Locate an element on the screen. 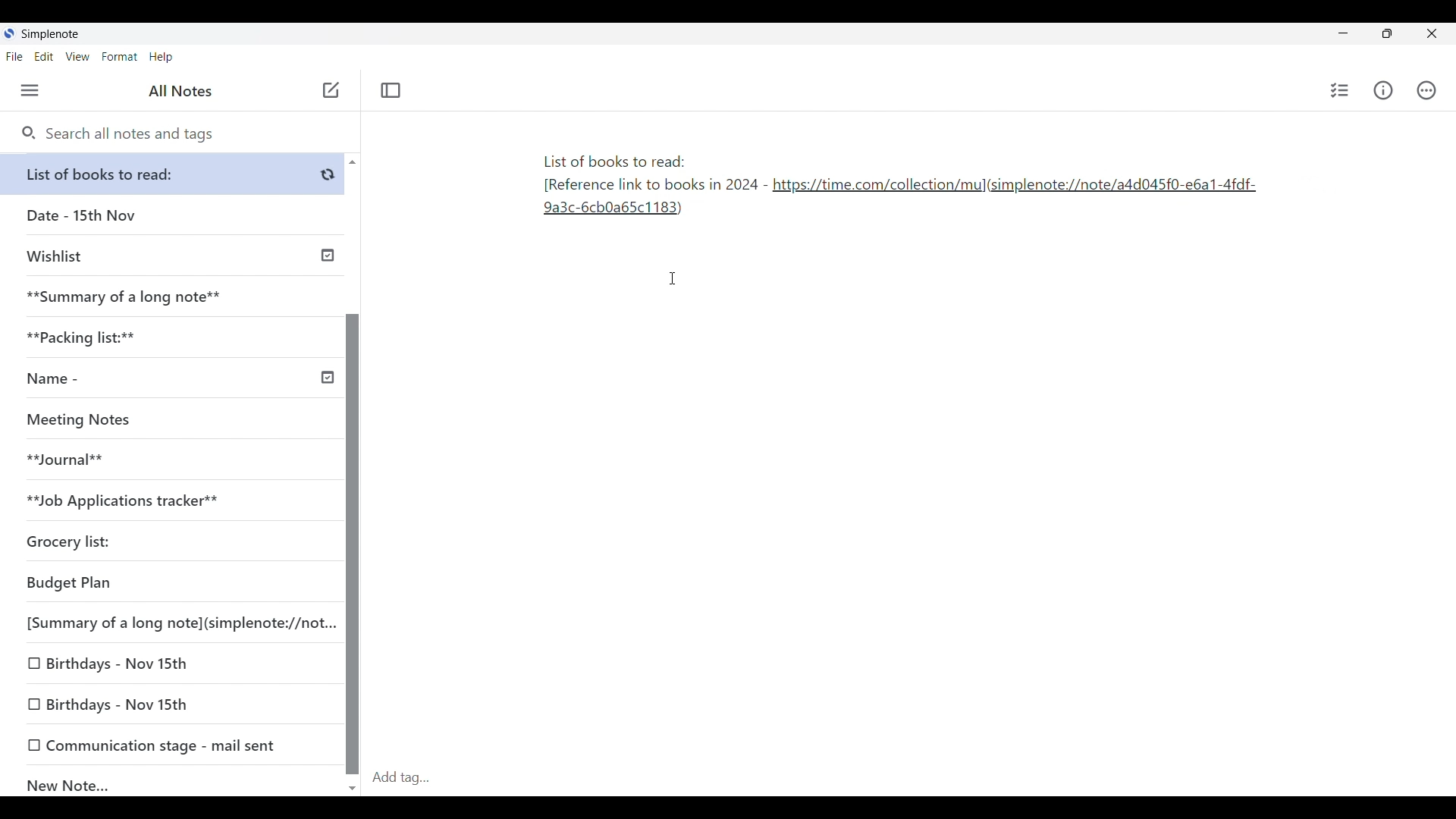 Image resolution: width=1456 pixels, height=819 pixels. Actions is located at coordinates (1426, 90).